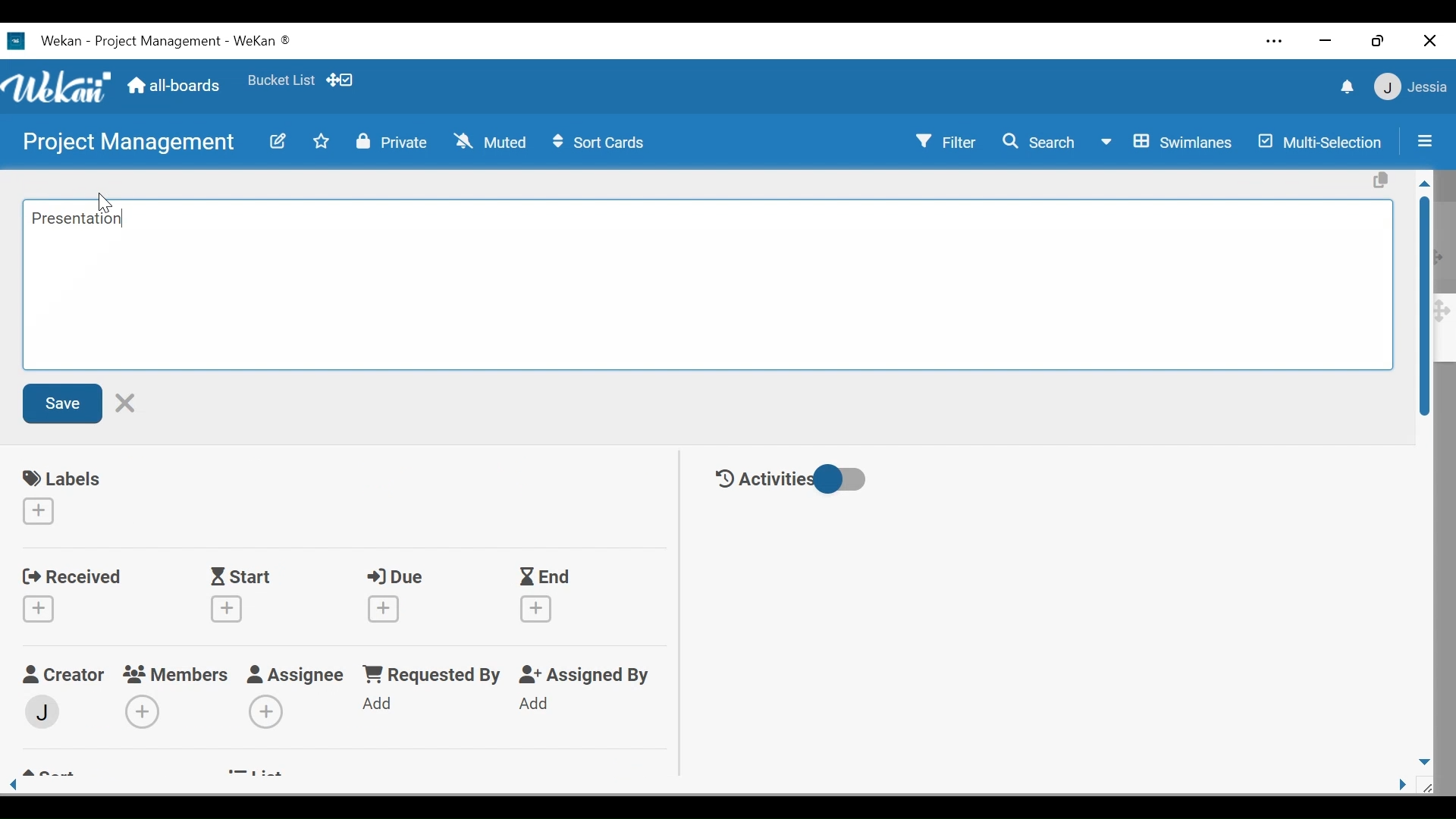  Describe the element at coordinates (62, 673) in the screenshot. I see `Craetor` at that location.